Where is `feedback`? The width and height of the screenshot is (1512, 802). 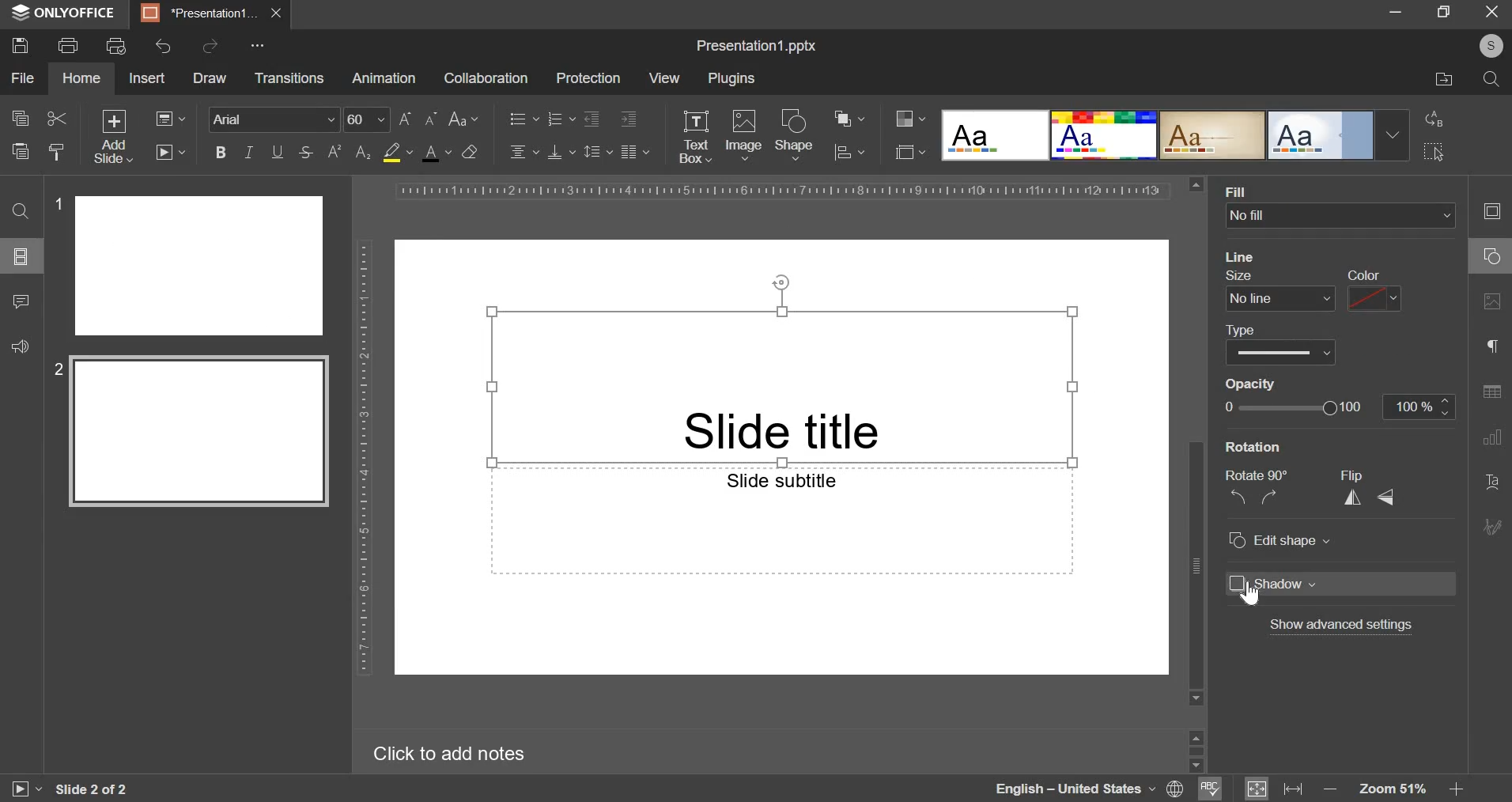 feedback is located at coordinates (17, 344).